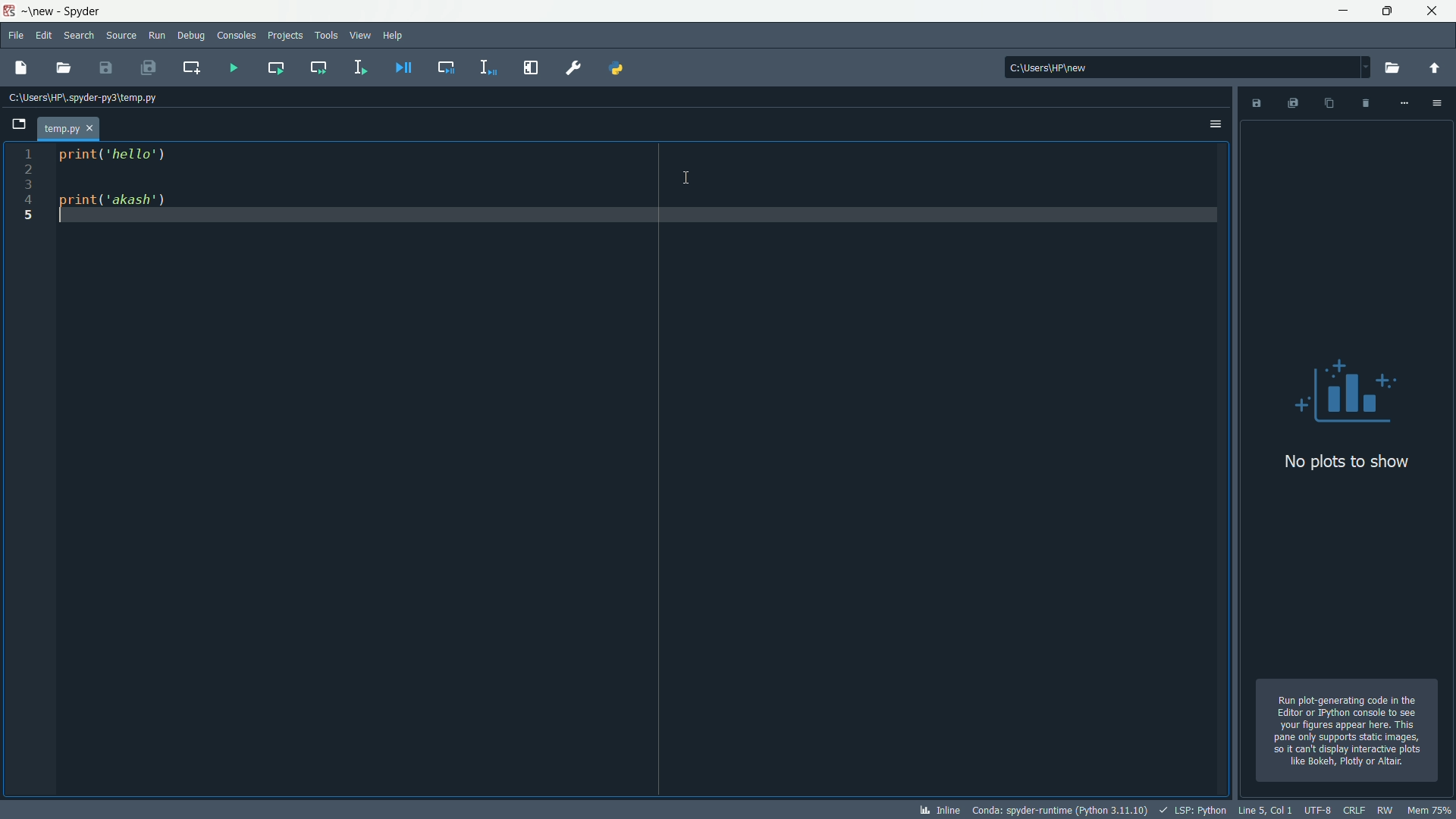 The width and height of the screenshot is (1456, 819). What do you see at coordinates (1366, 67) in the screenshot?
I see `drop down` at bounding box center [1366, 67].